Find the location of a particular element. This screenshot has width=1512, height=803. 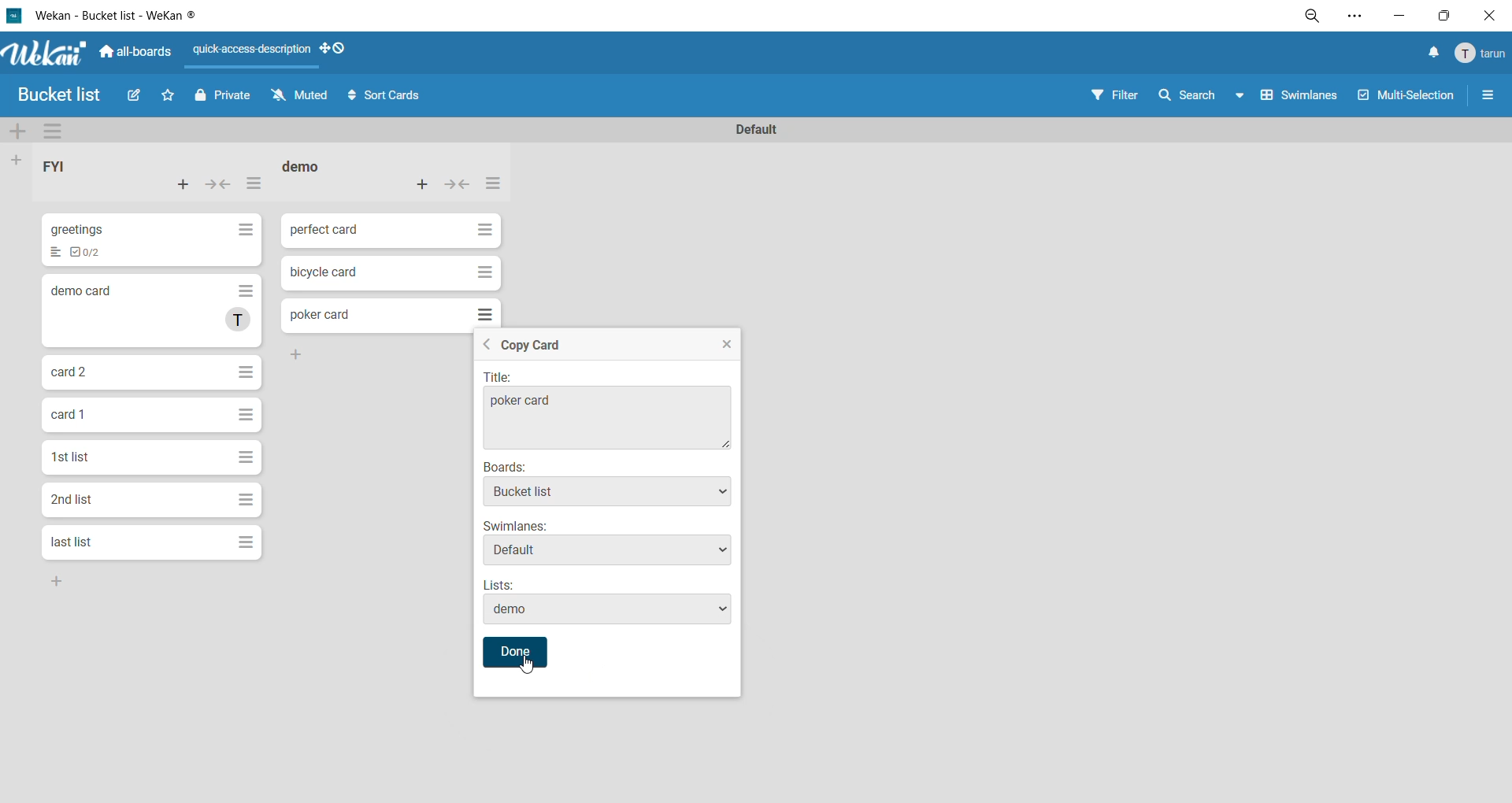

add list is located at coordinates (20, 160).